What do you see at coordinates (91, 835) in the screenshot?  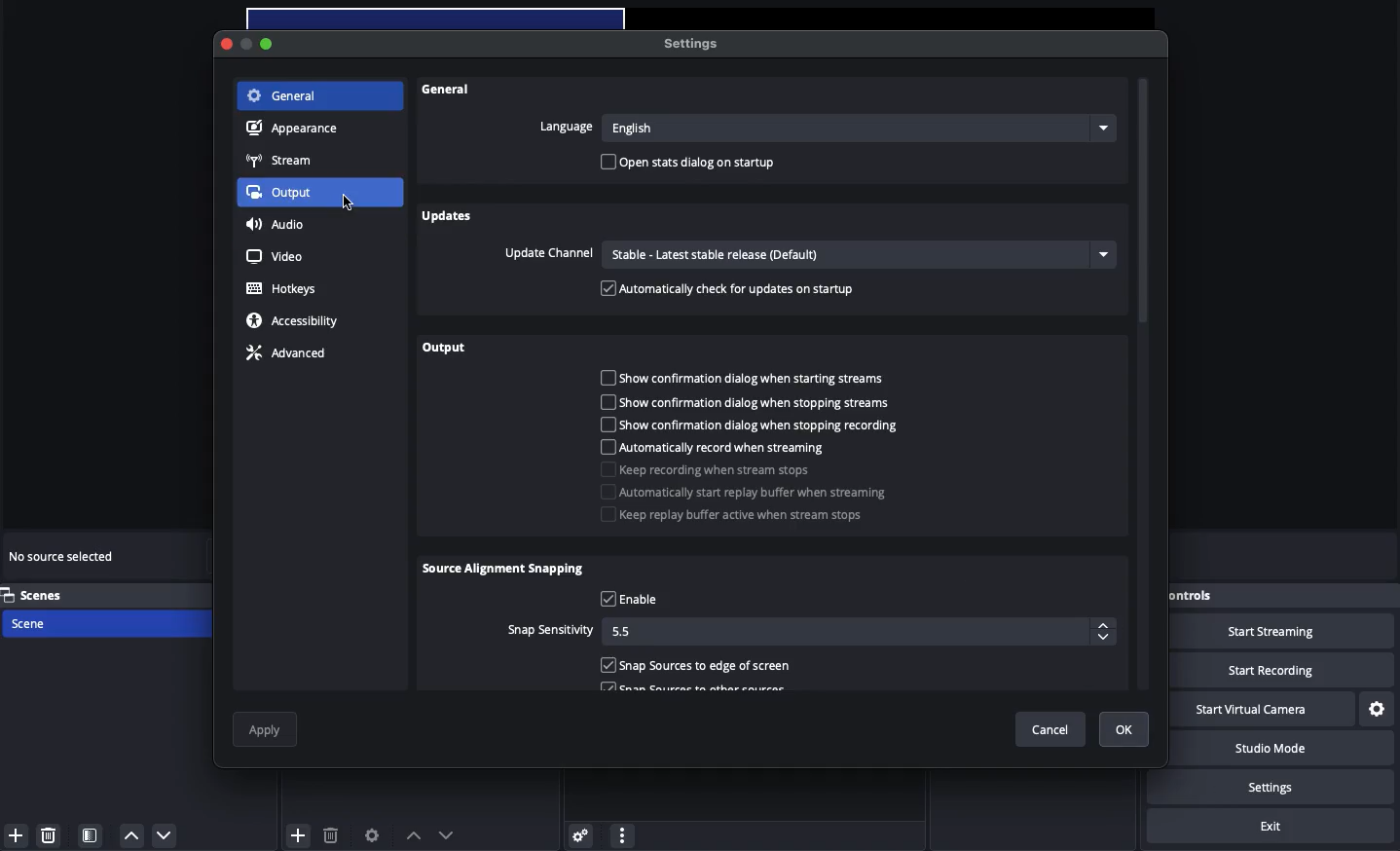 I see `Scene filter` at bounding box center [91, 835].